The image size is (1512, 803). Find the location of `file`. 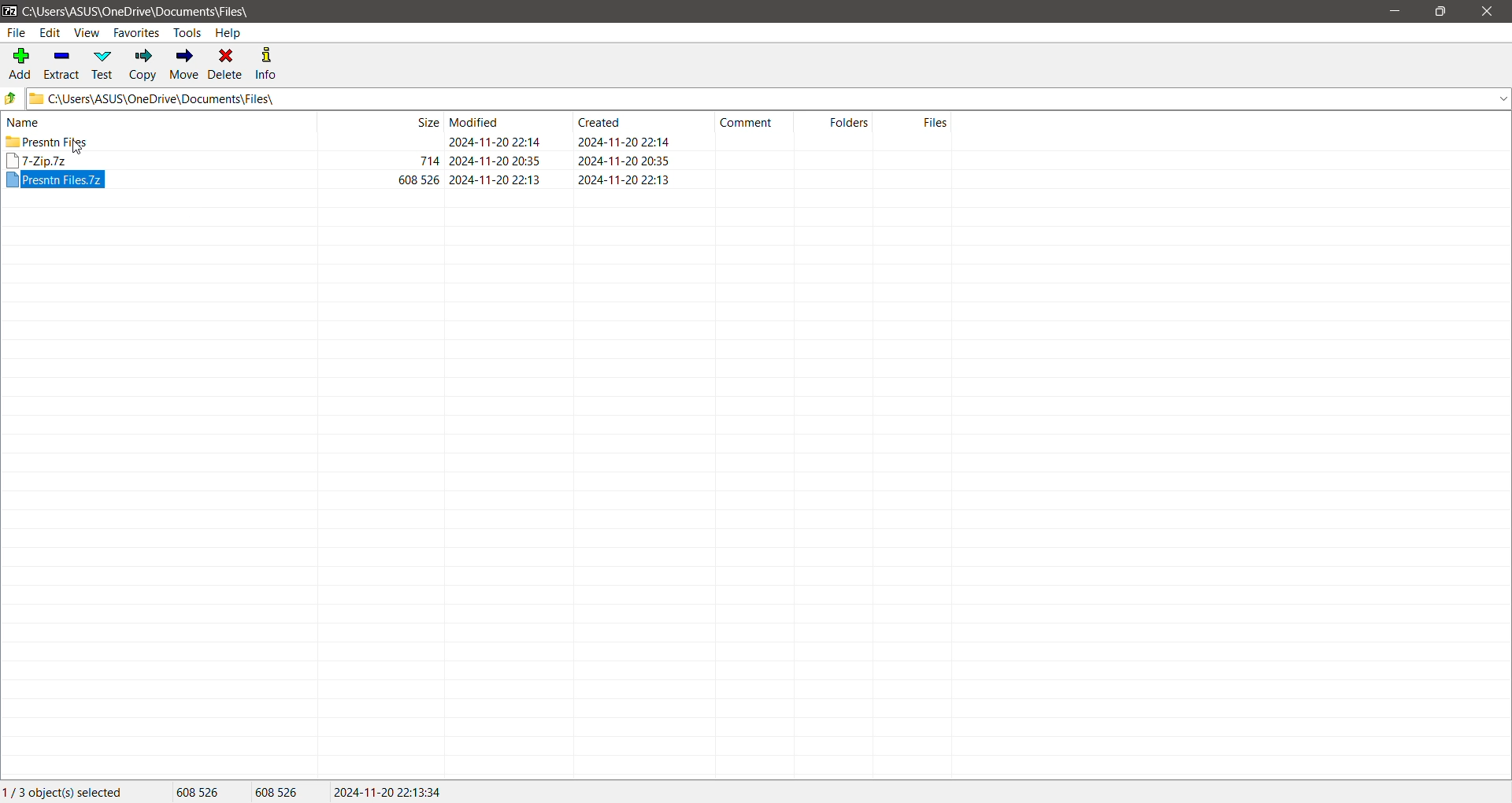

file is located at coordinates (55, 179).